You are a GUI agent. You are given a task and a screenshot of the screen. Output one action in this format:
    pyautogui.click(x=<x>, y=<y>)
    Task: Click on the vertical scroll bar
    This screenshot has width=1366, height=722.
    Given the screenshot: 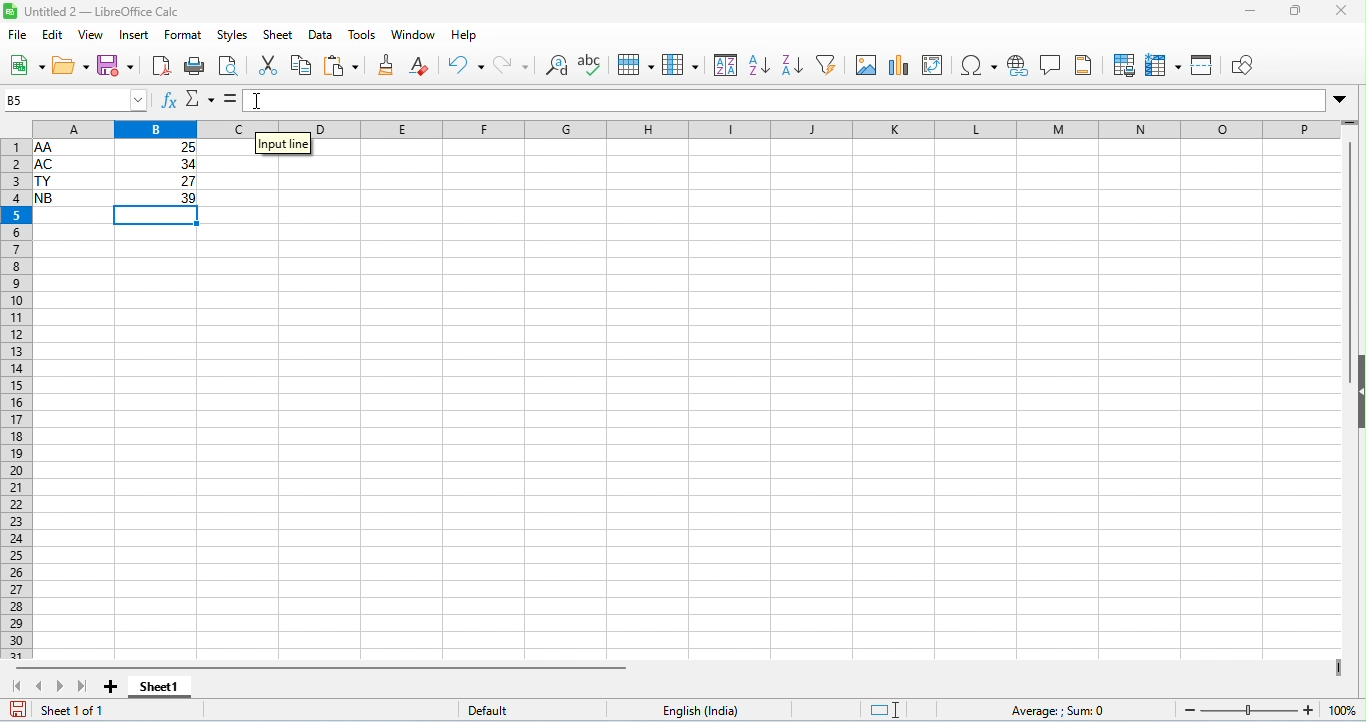 What is the action you would take?
    pyautogui.click(x=1353, y=242)
    